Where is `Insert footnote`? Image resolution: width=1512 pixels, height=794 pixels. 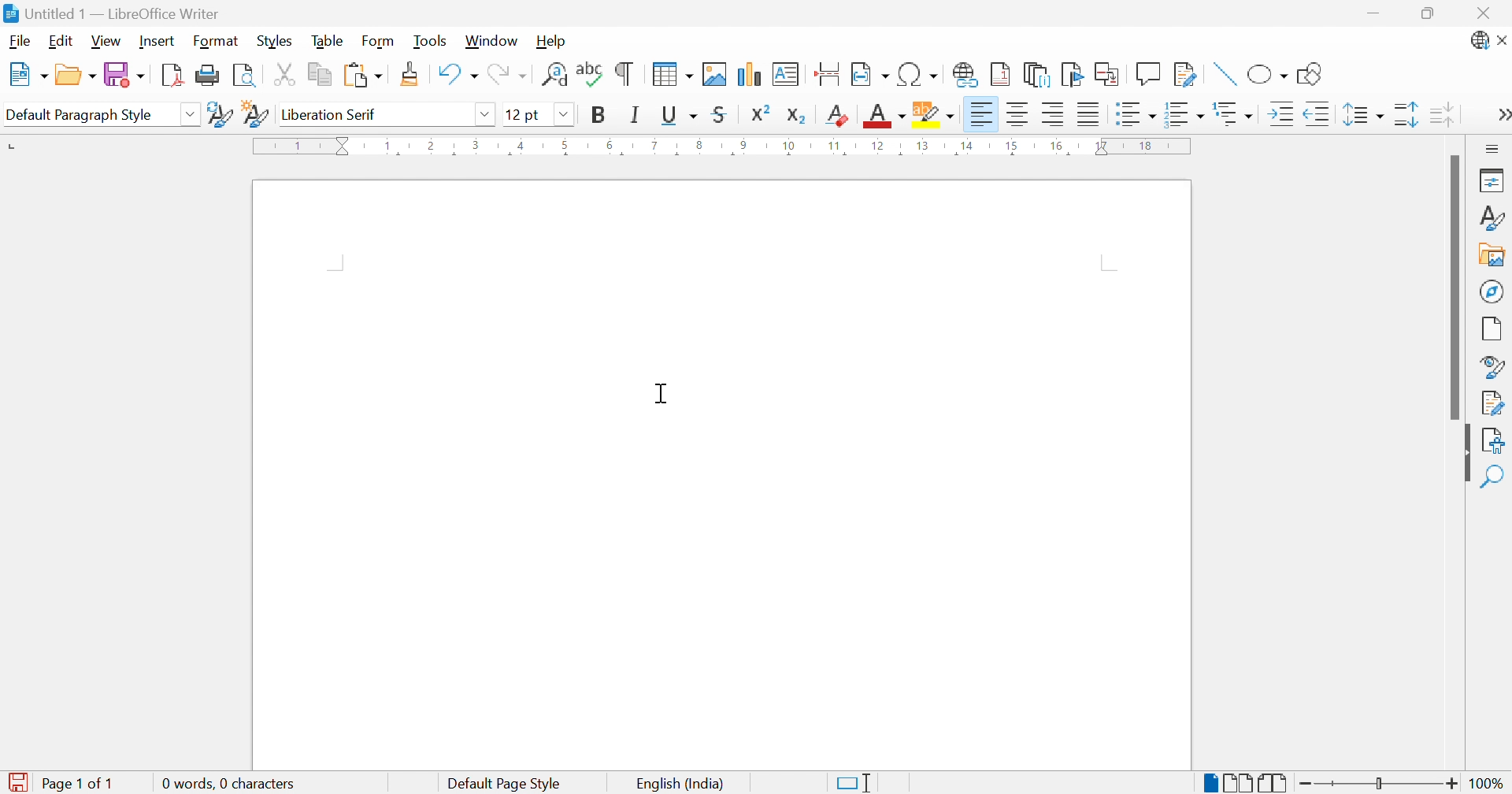 Insert footnote is located at coordinates (1001, 73).